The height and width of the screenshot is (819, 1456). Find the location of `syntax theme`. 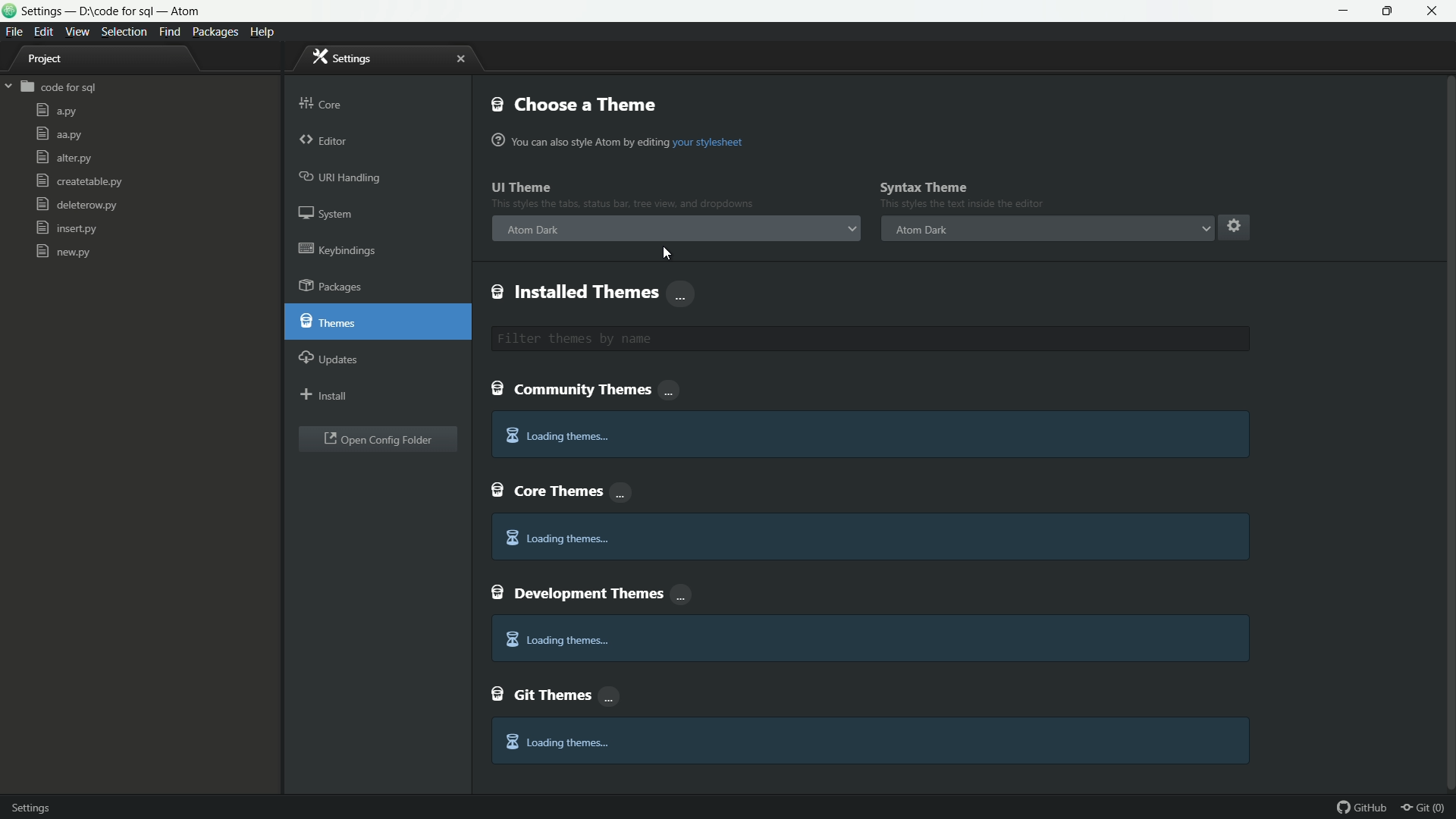

syntax theme is located at coordinates (924, 187).